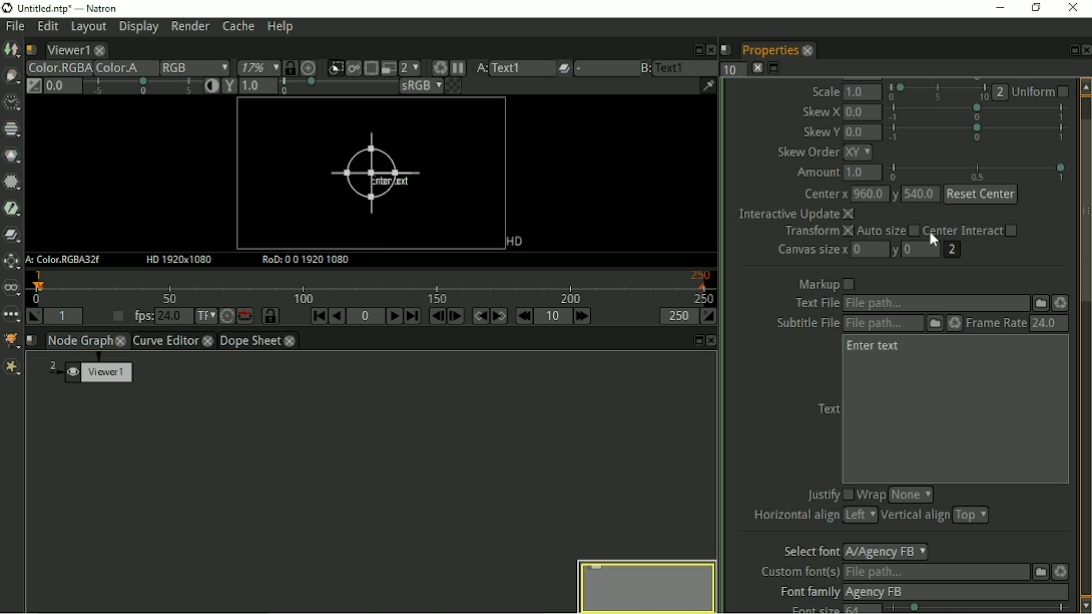 This screenshot has width=1092, height=614. Describe the element at coordinates (238, 27) in the screenshot. I see `Cache` at that location.